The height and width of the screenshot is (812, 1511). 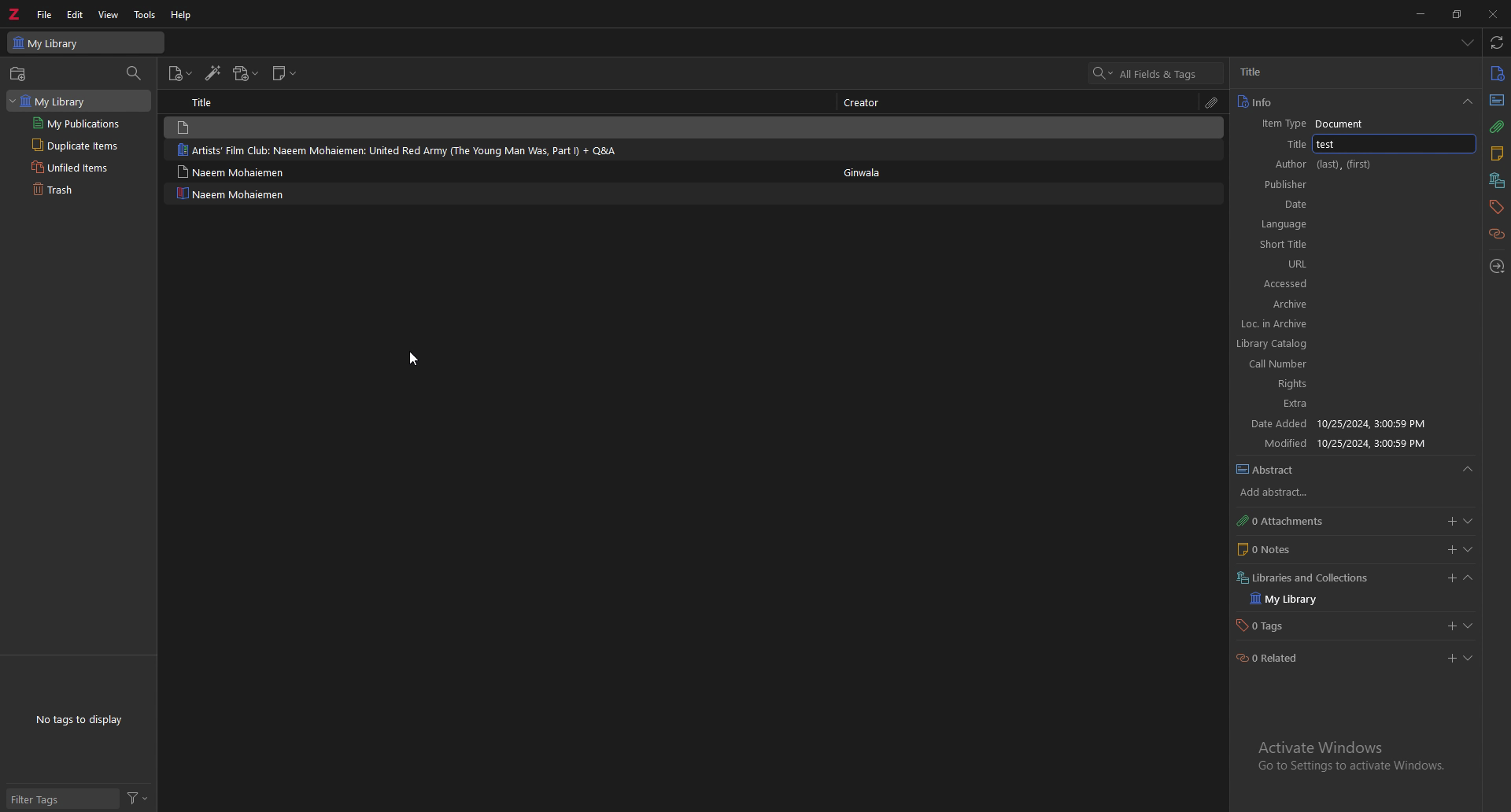 What do you see at coordinates (1310, 164) in the screenshot?
I see `author` at bounding box center [1310, 164].